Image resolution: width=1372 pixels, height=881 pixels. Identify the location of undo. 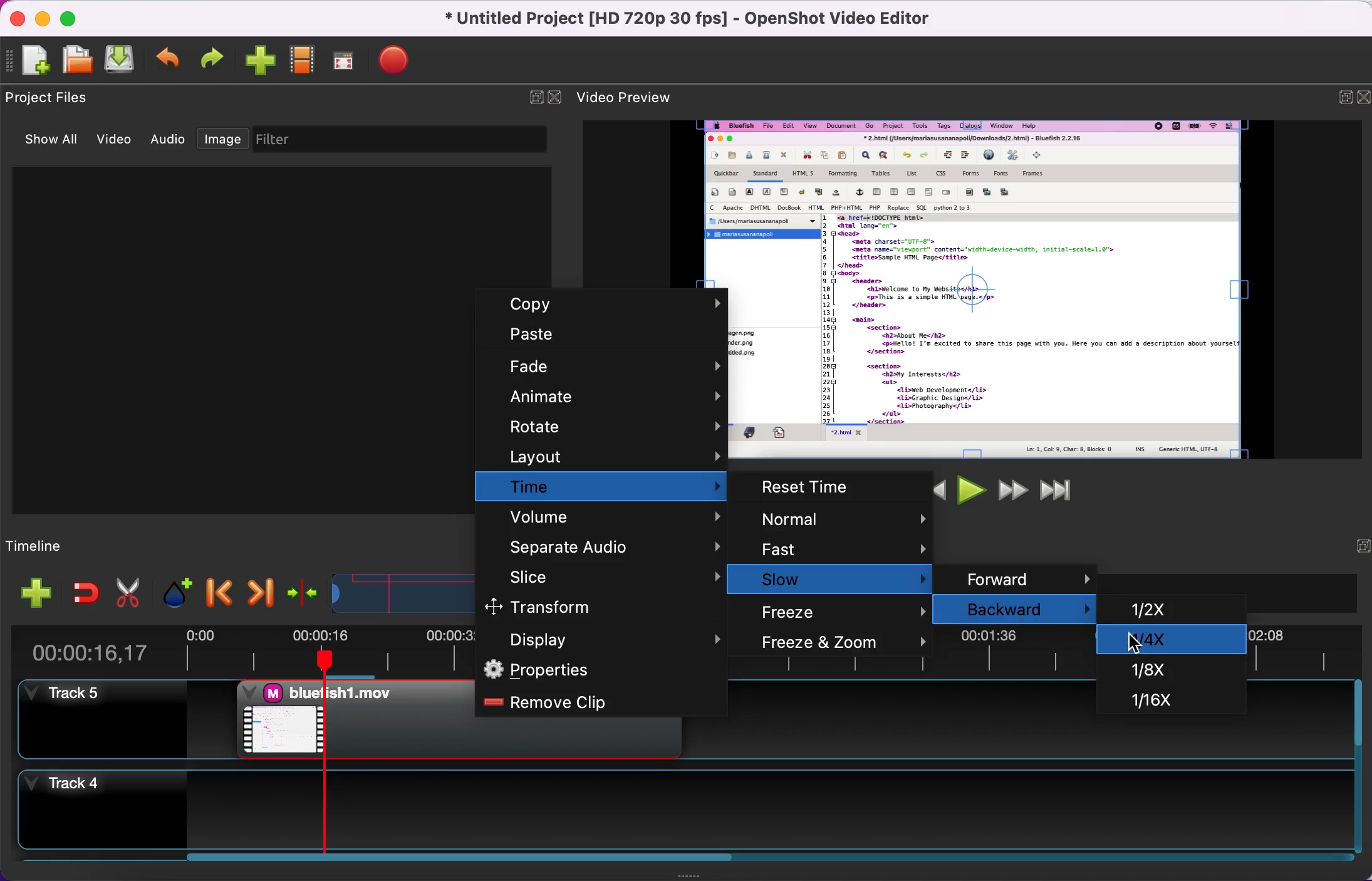
(170, 59).